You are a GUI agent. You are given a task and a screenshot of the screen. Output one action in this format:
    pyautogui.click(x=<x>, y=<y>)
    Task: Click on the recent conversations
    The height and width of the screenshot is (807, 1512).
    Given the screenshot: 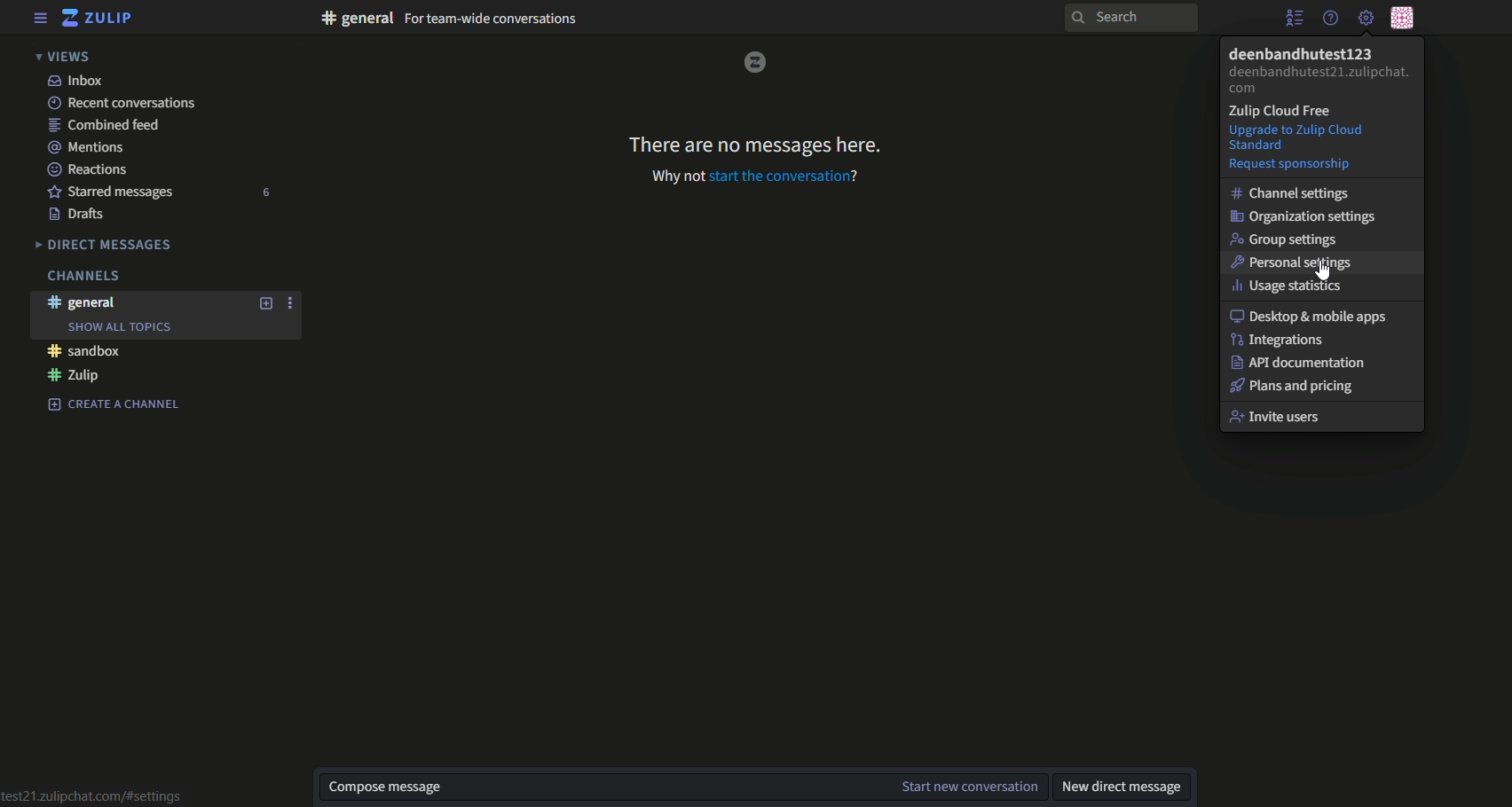 What is the action you would take?
    pyautogui.click(x=124, y=103)
    